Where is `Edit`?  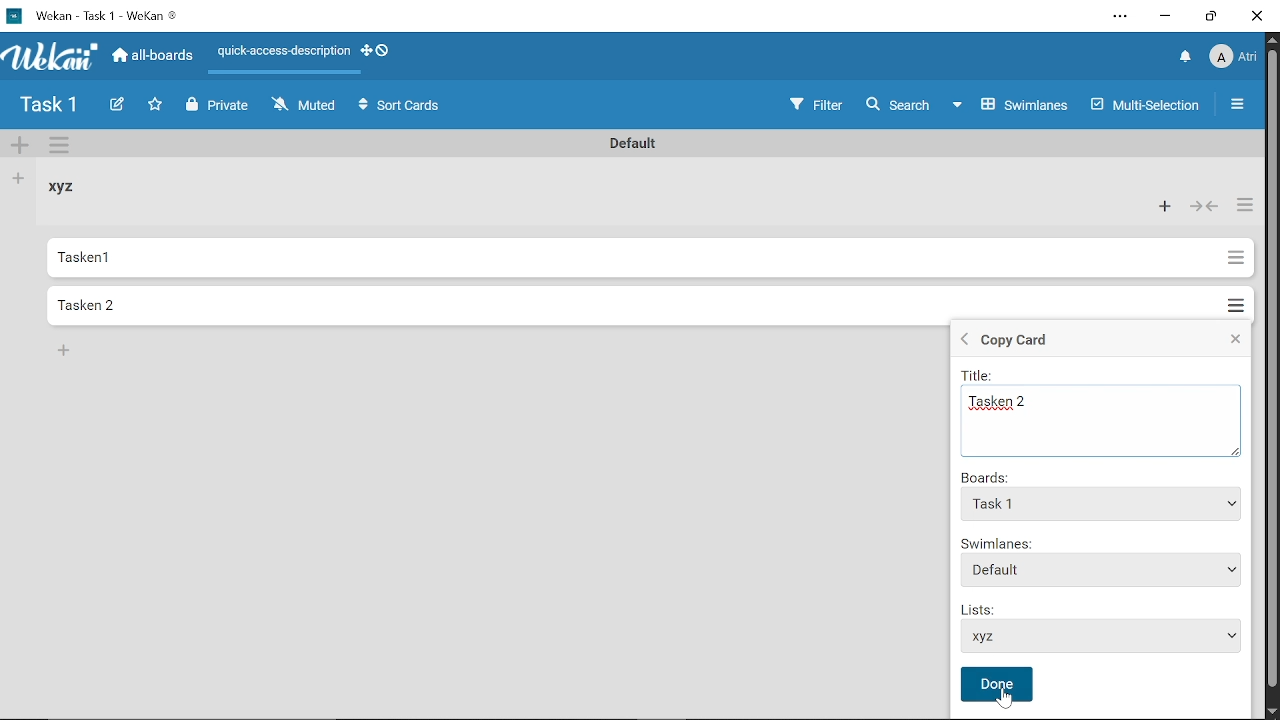
Edit is located at coordinates (118, 105).